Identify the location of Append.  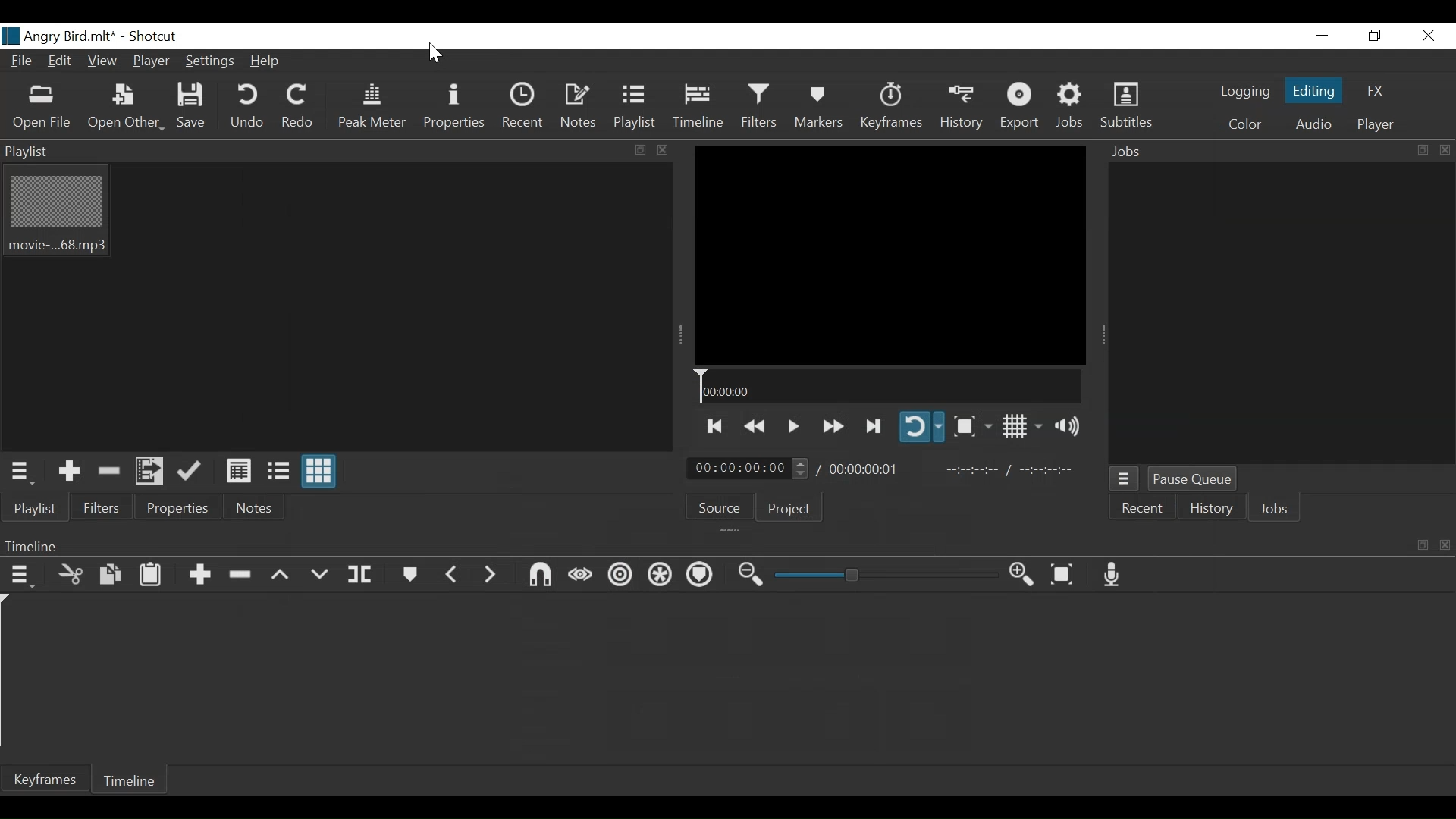
(199, 573).